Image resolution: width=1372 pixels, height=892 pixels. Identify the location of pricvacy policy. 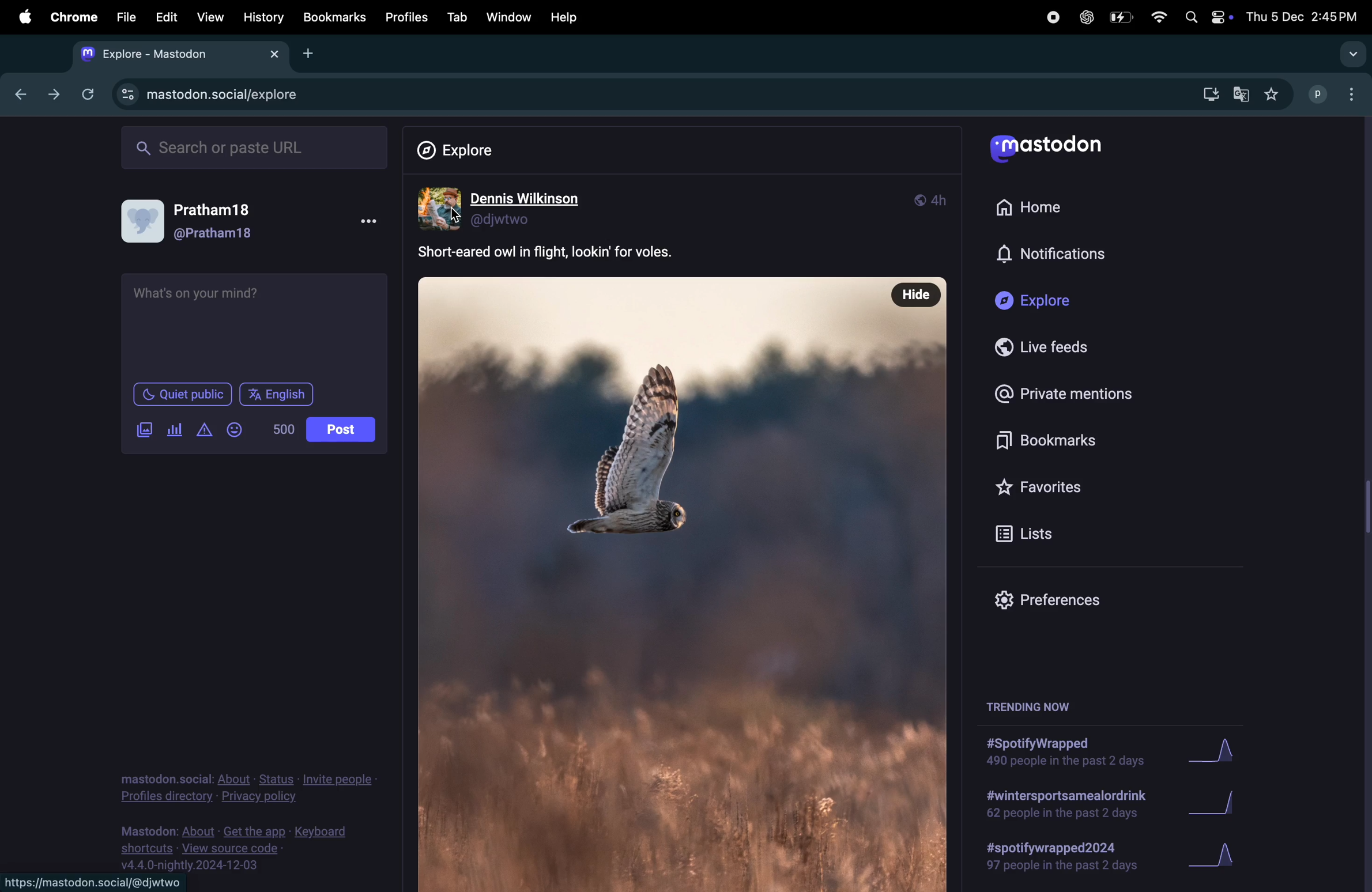
(243, 789).